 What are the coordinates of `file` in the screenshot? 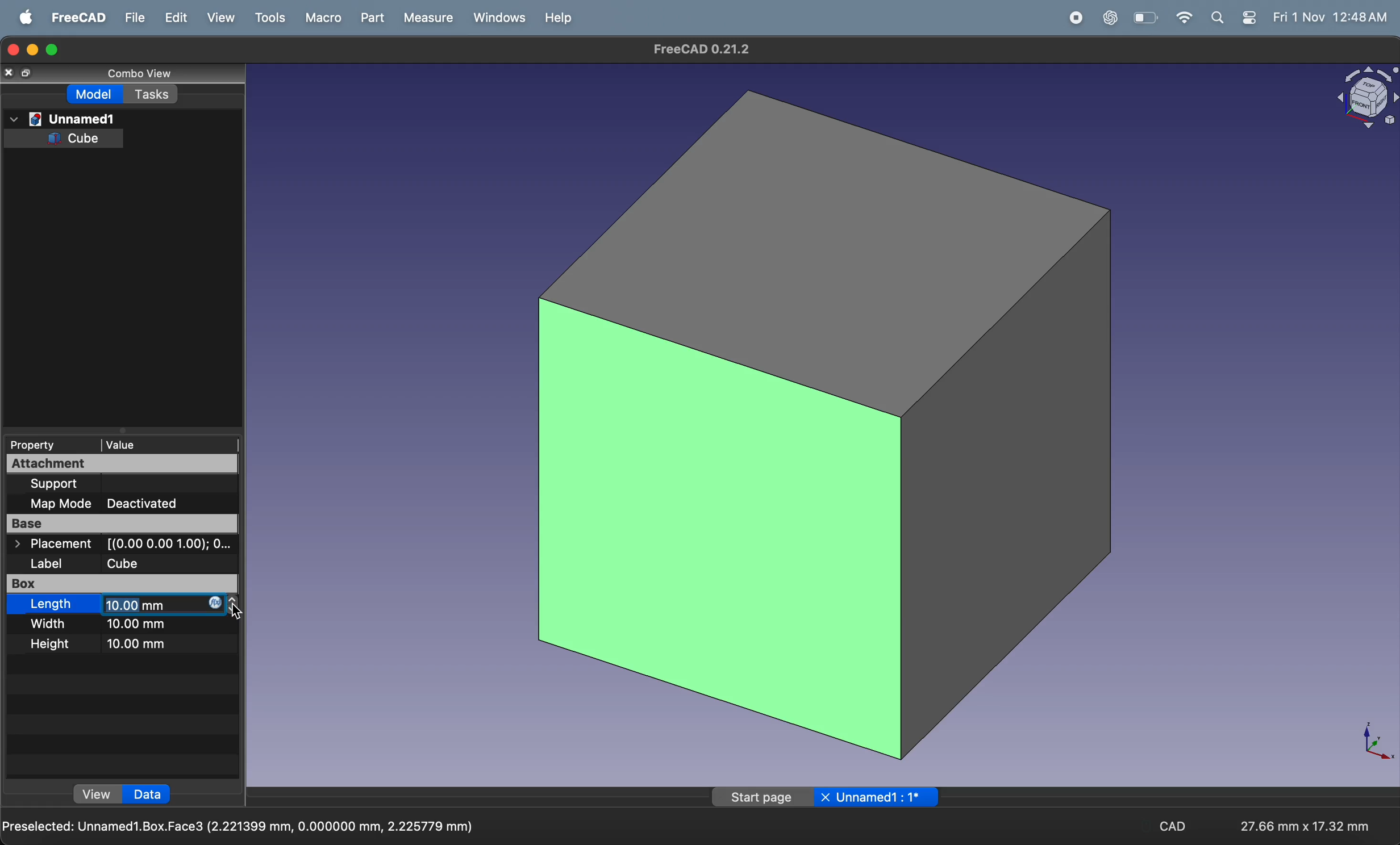 It's located at (129, 18).